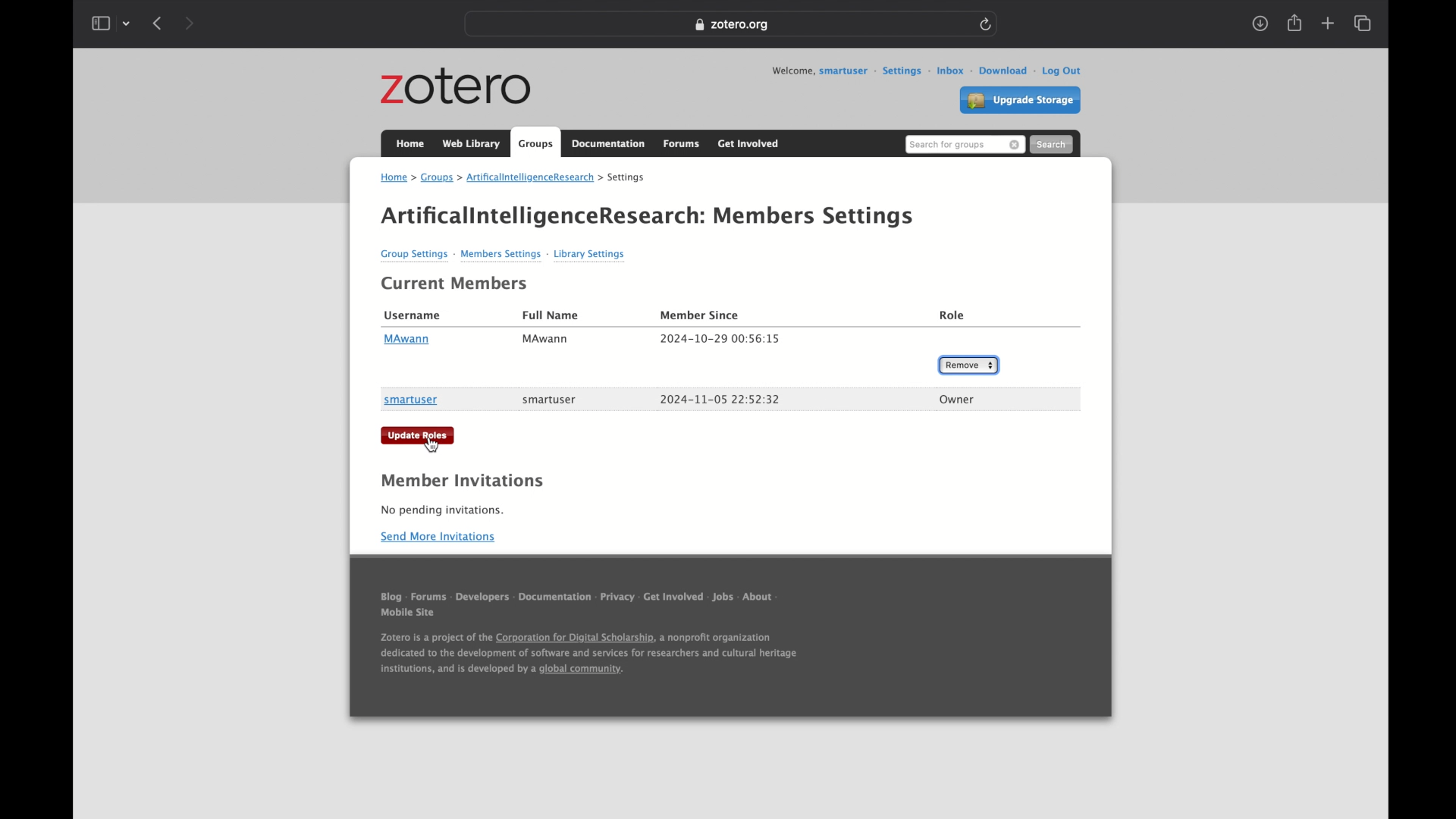  Describe the element at coordinates (462, 481) in the screenshot. I see `member invitations` at that location.